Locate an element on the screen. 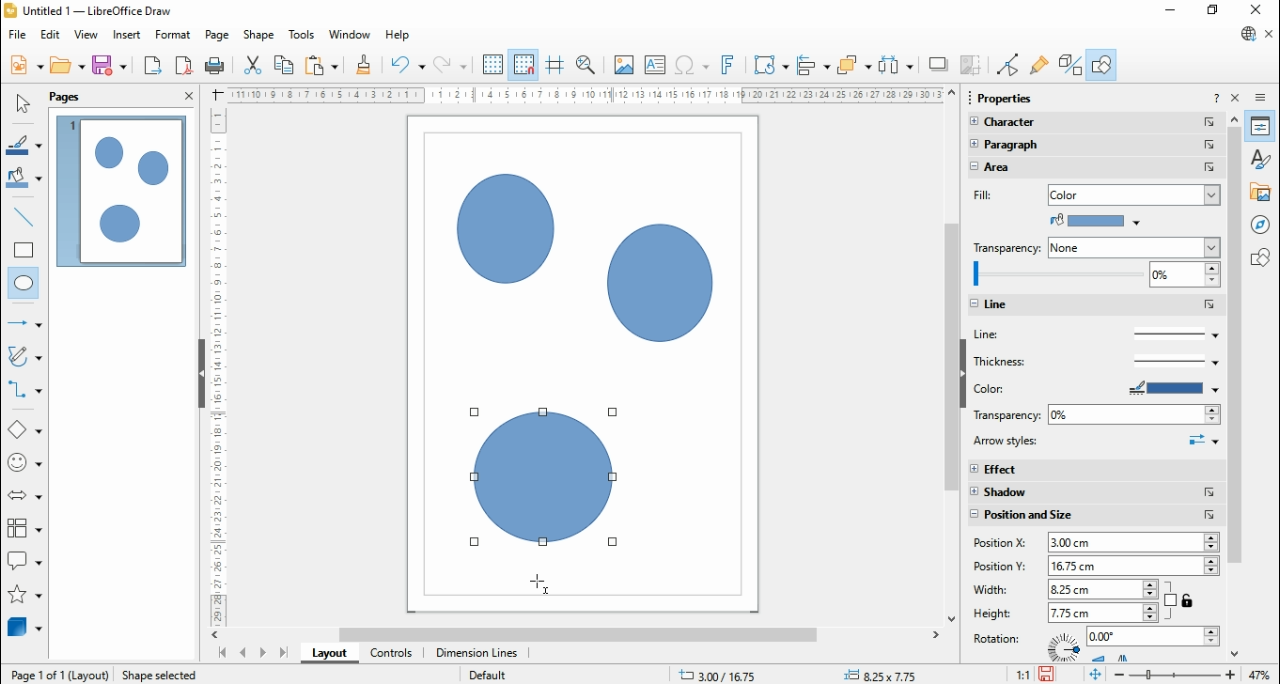 This screenshot has width=1280, height=684. export directly as PDF is located at coordinates (183, 65).